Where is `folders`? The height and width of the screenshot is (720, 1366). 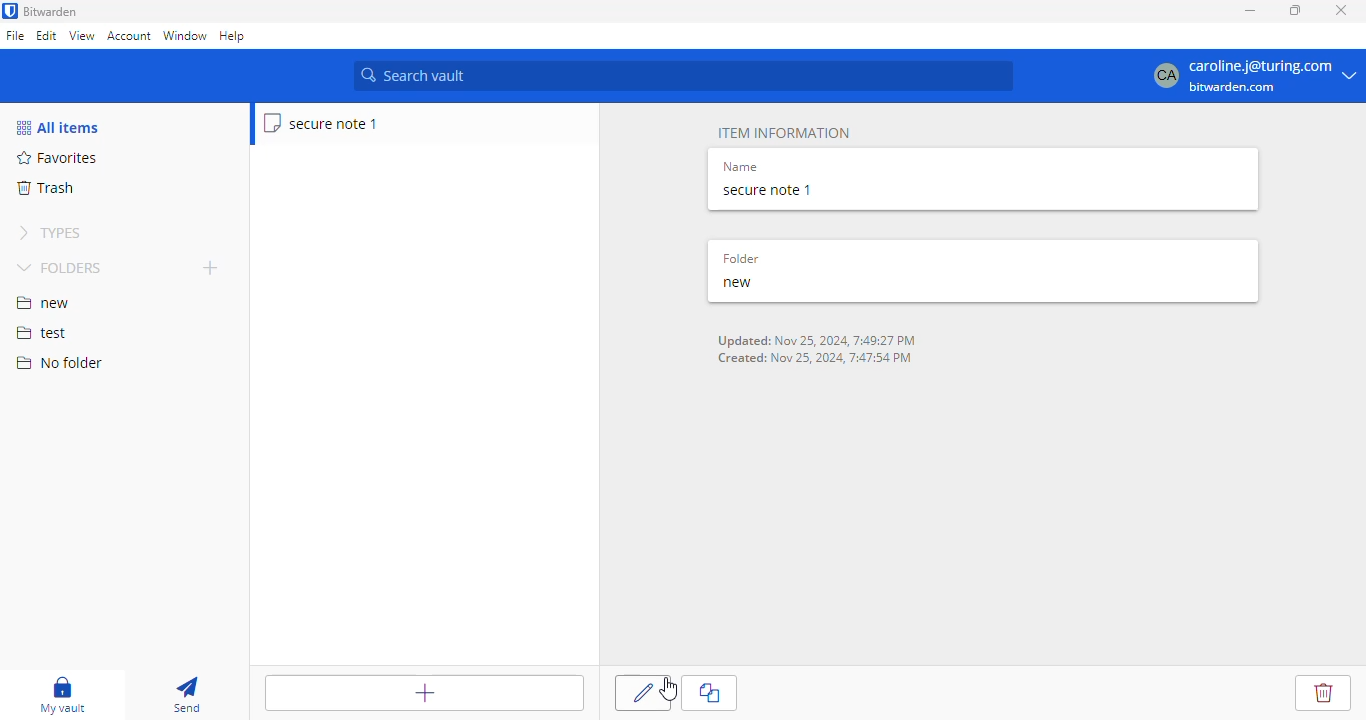 folders is located at coordinates (62, 267).